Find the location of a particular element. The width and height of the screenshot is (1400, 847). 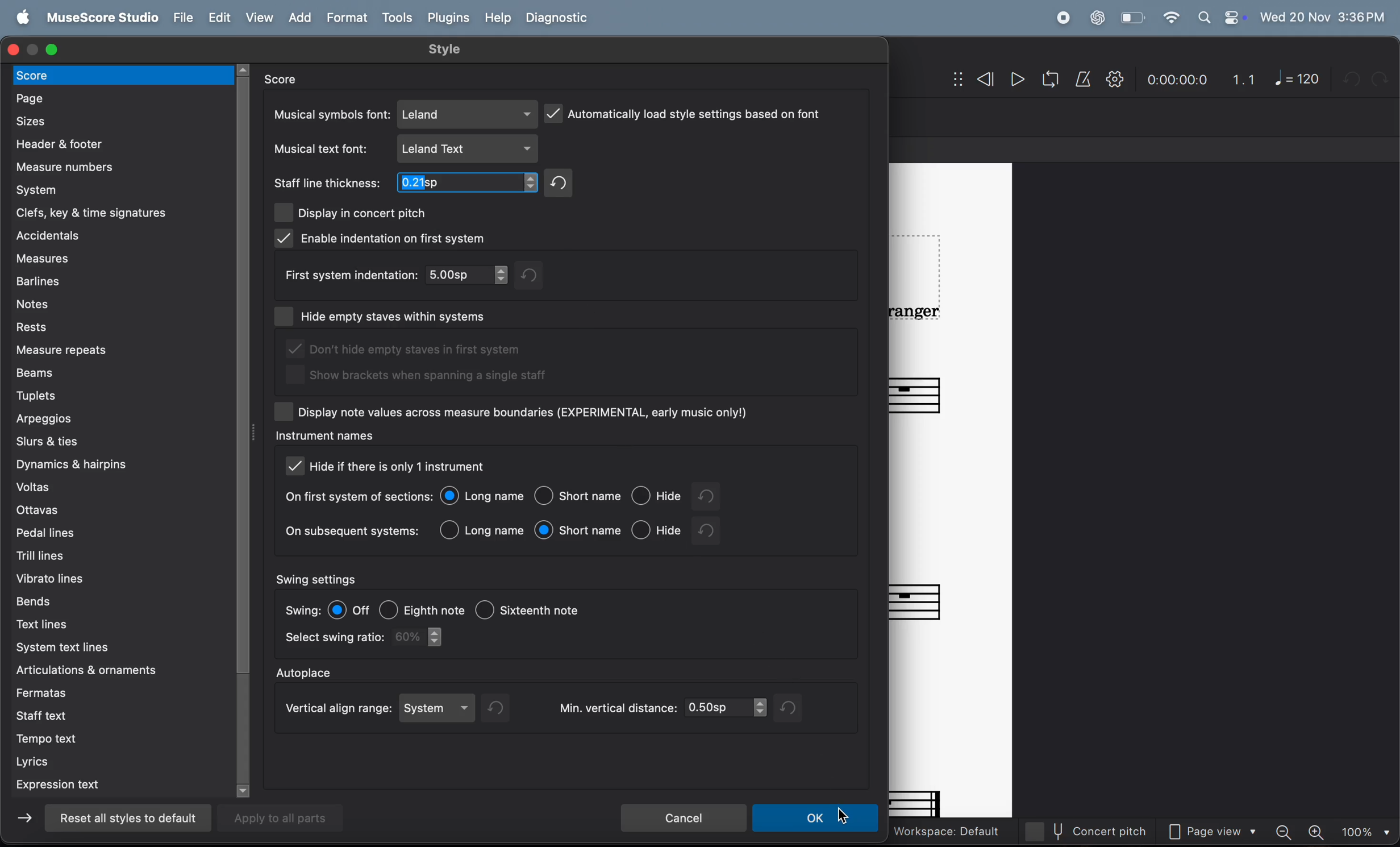

foward is located at coordinates (27, 821).